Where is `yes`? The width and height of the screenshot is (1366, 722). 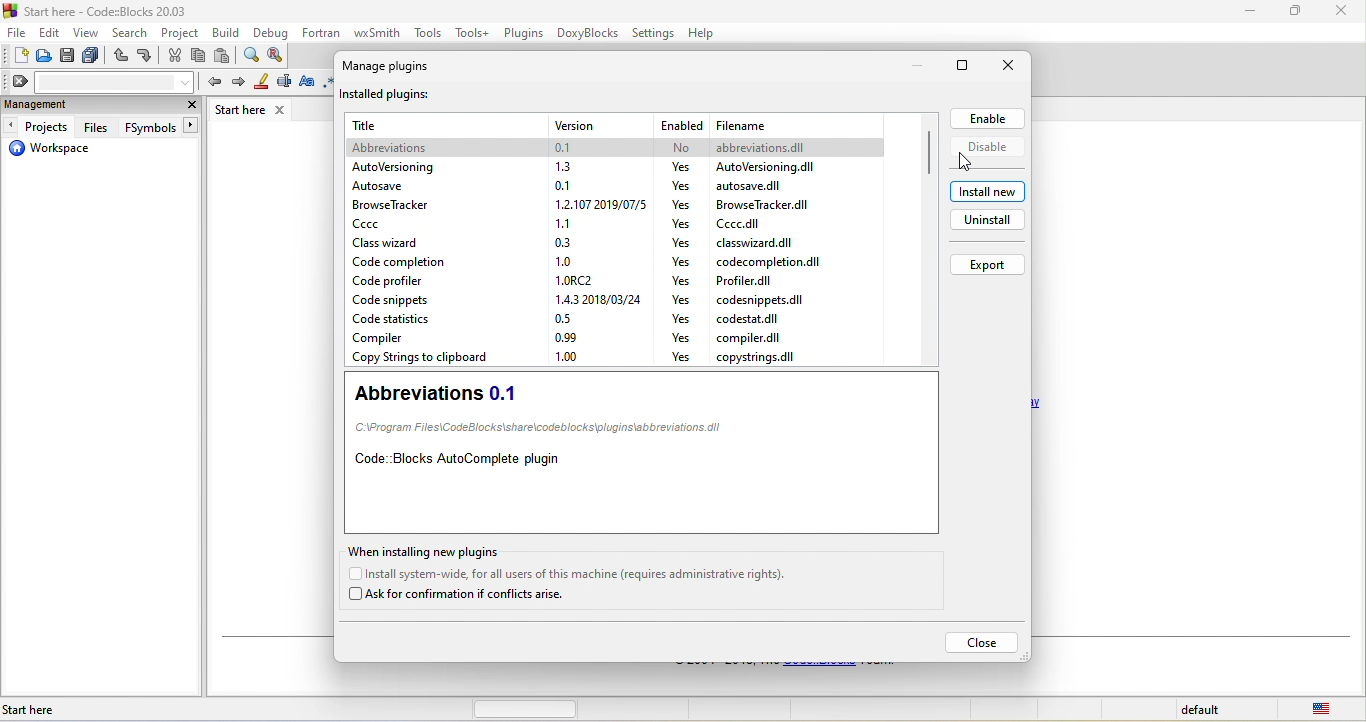
yes is located at coordinates (681, 204).